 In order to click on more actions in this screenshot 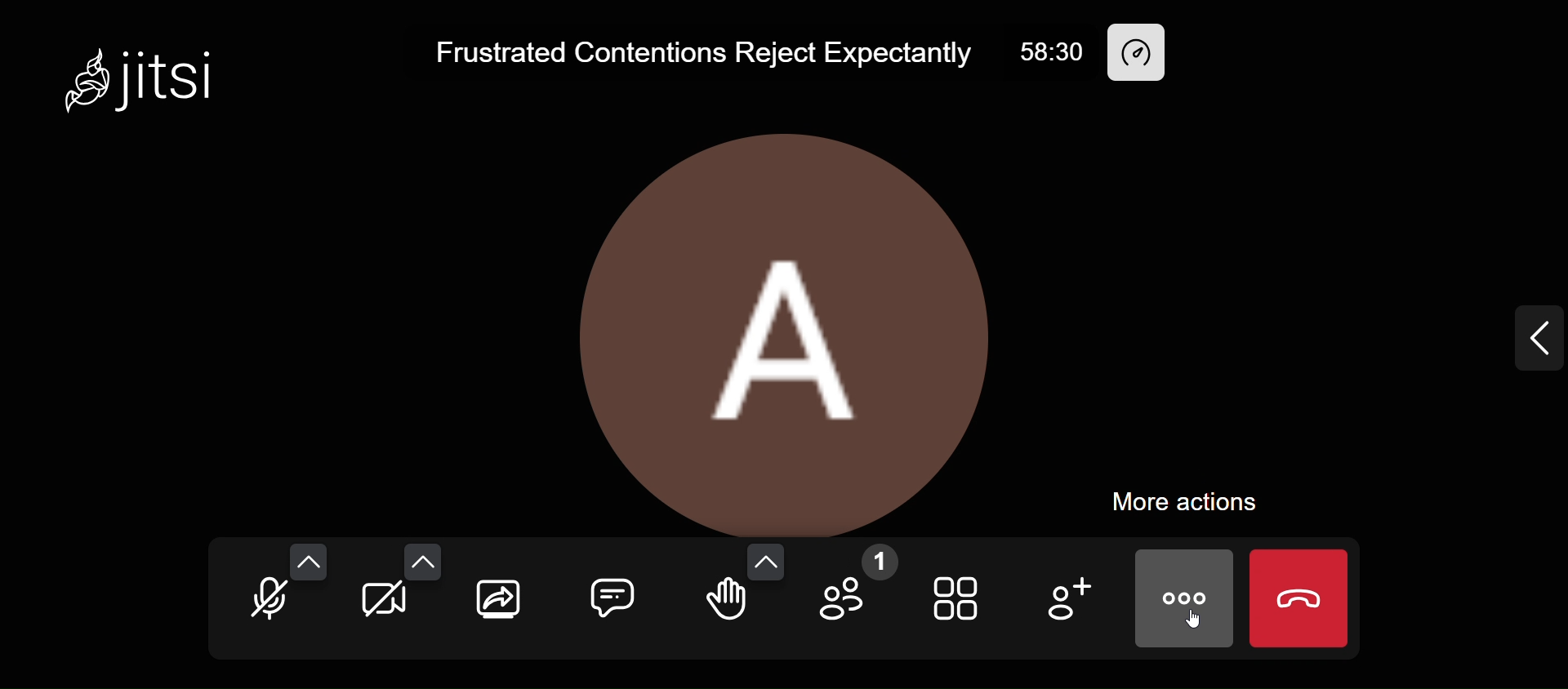, I will do `click(1209, 499)`.